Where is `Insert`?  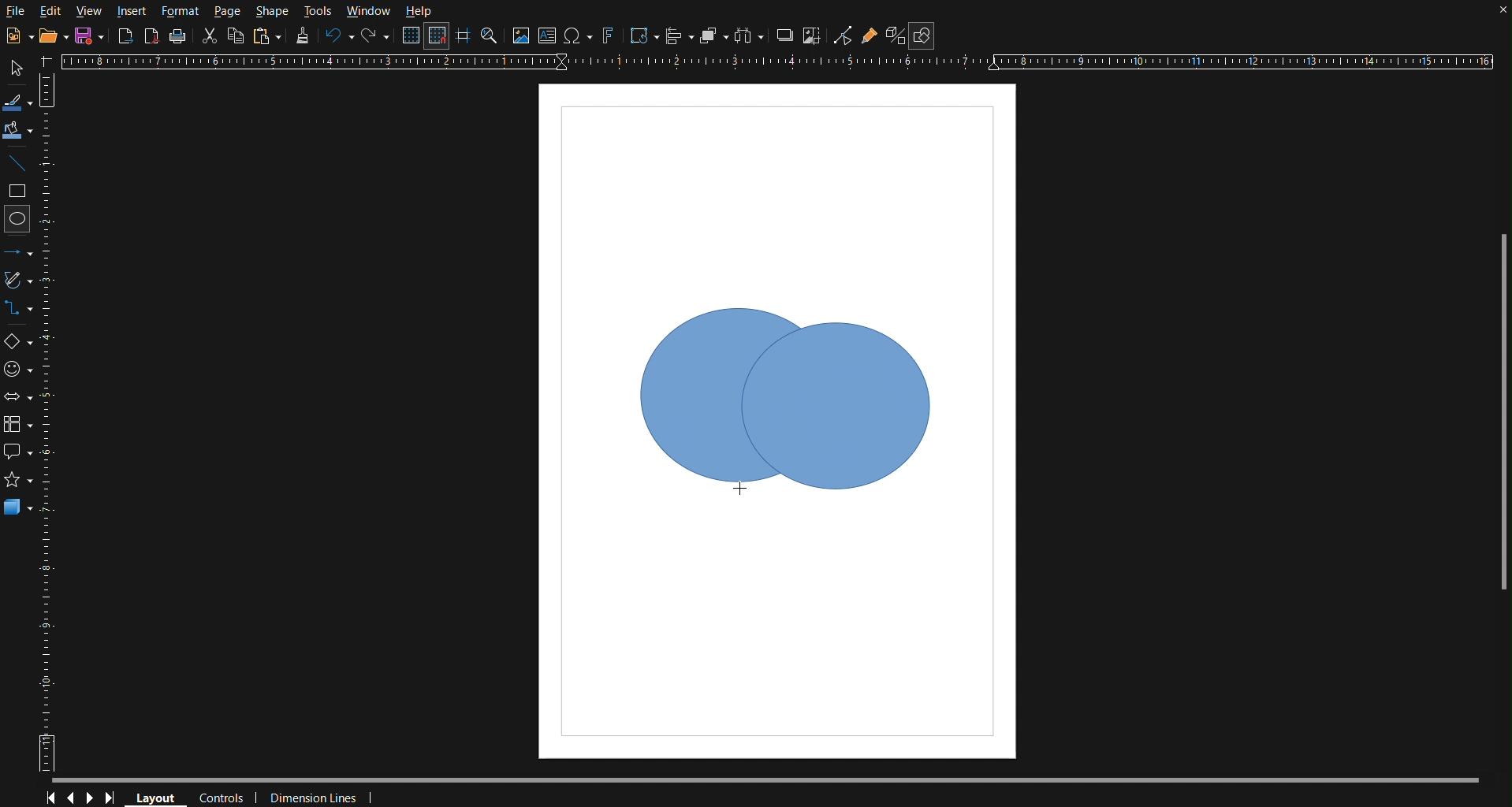 Insert is located at coordinates (131, 9).